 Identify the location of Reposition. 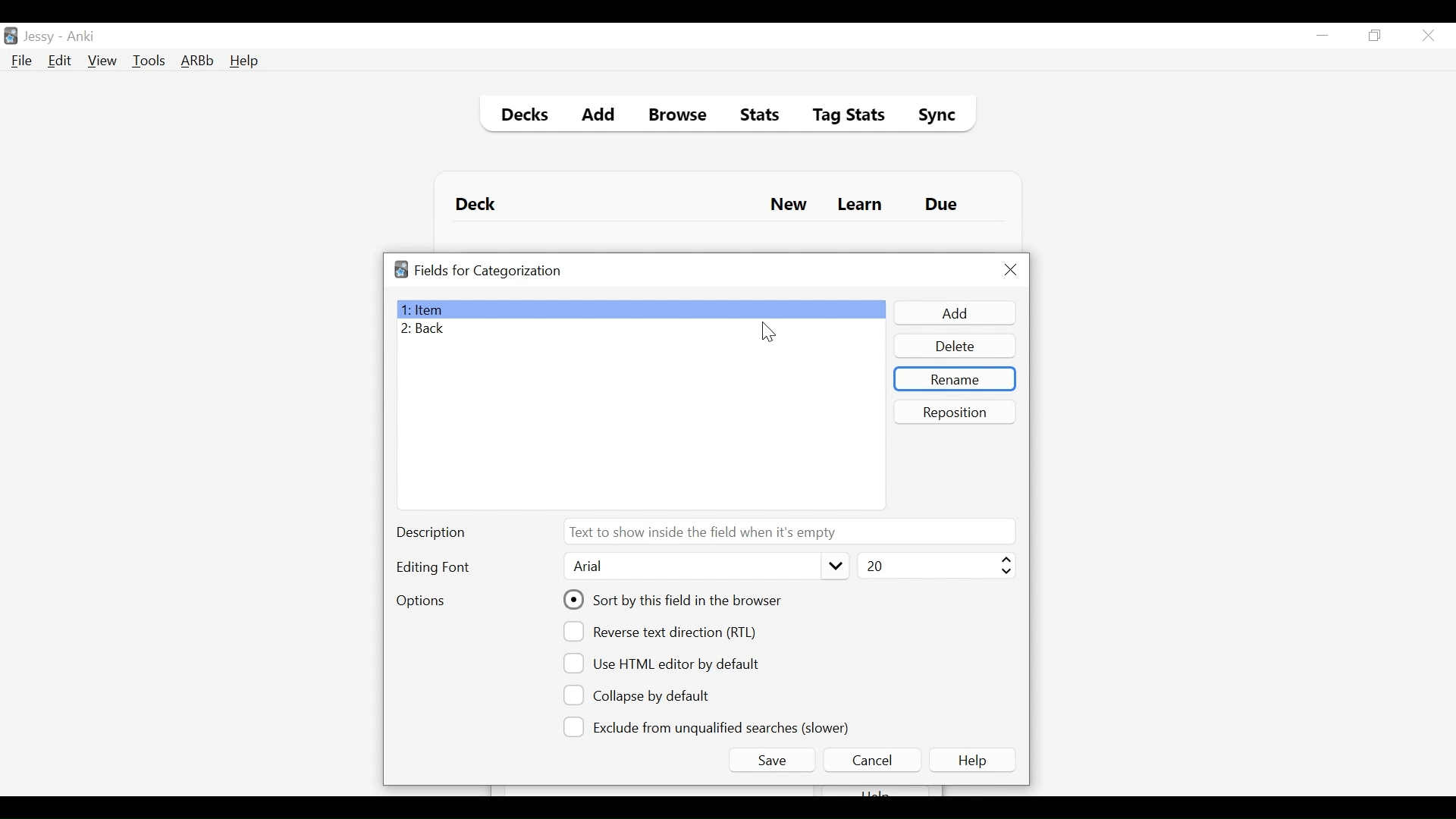
(956, 412).